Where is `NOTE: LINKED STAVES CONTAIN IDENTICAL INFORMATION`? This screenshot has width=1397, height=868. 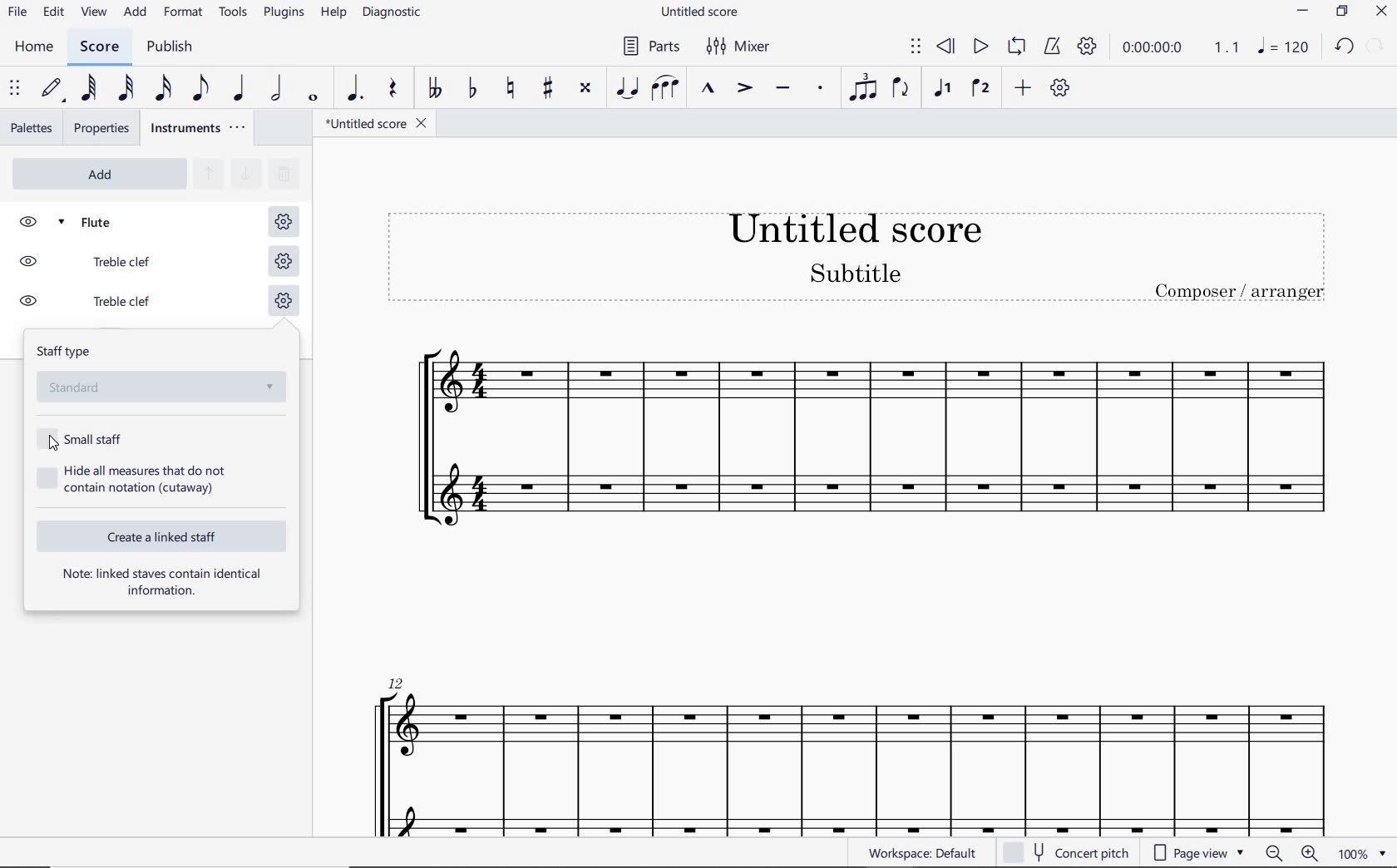
NOTE: LINKED STAVES CONTAIN IDENTICAL INFORMATION is located at coordinates (163, 582).